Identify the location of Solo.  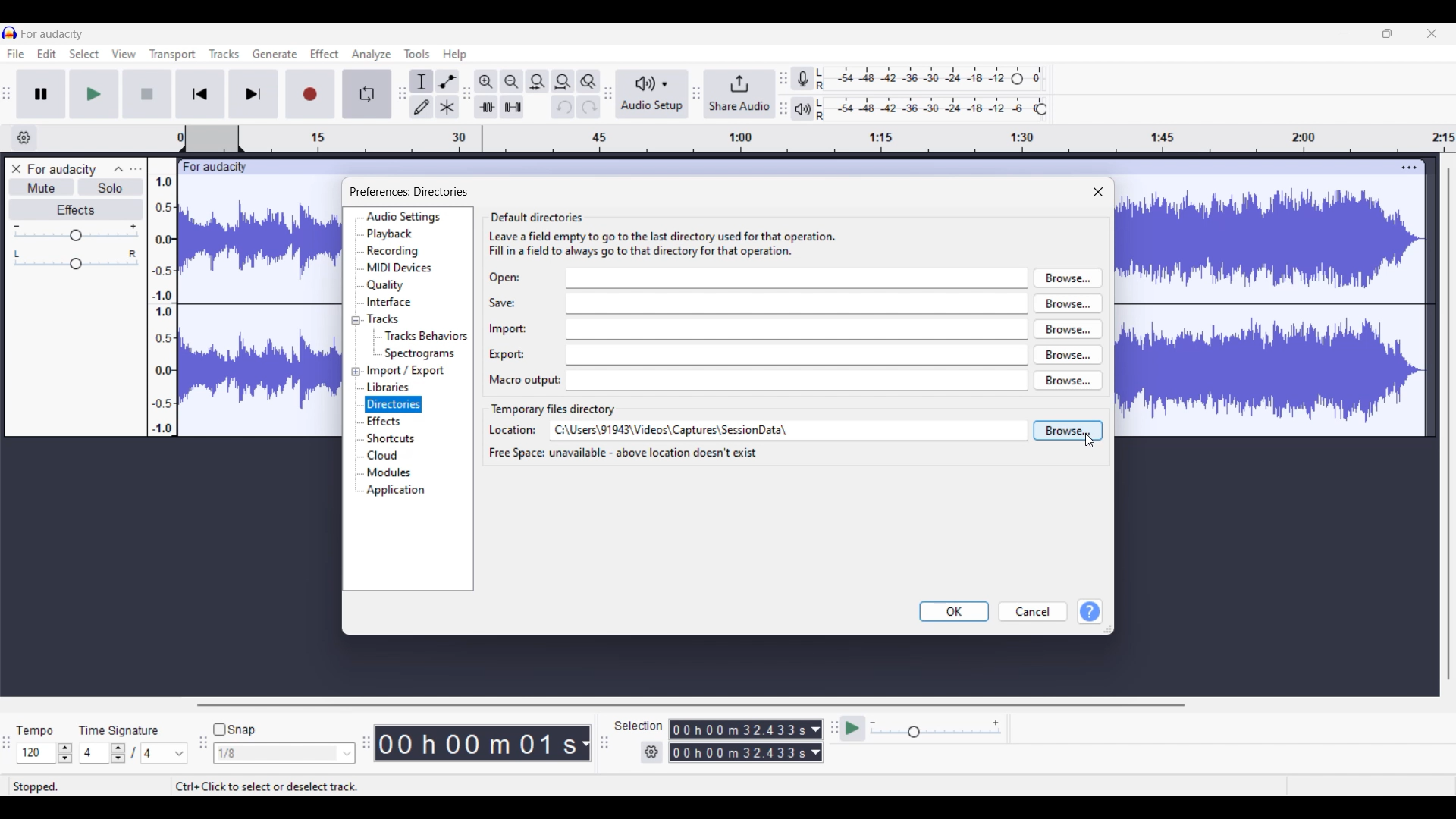
(110, 187).